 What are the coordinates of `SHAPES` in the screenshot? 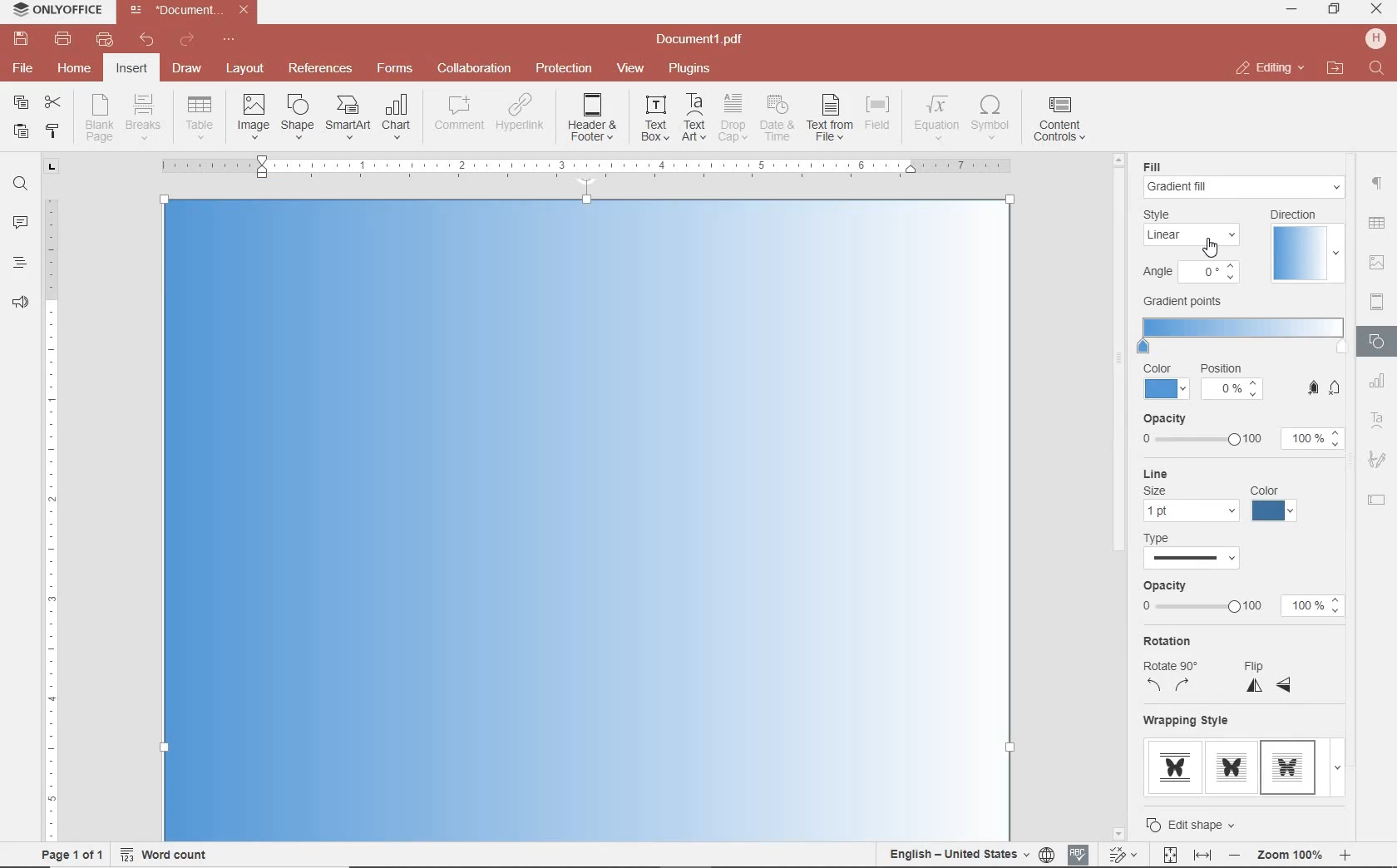 It's located at (1378, 343).